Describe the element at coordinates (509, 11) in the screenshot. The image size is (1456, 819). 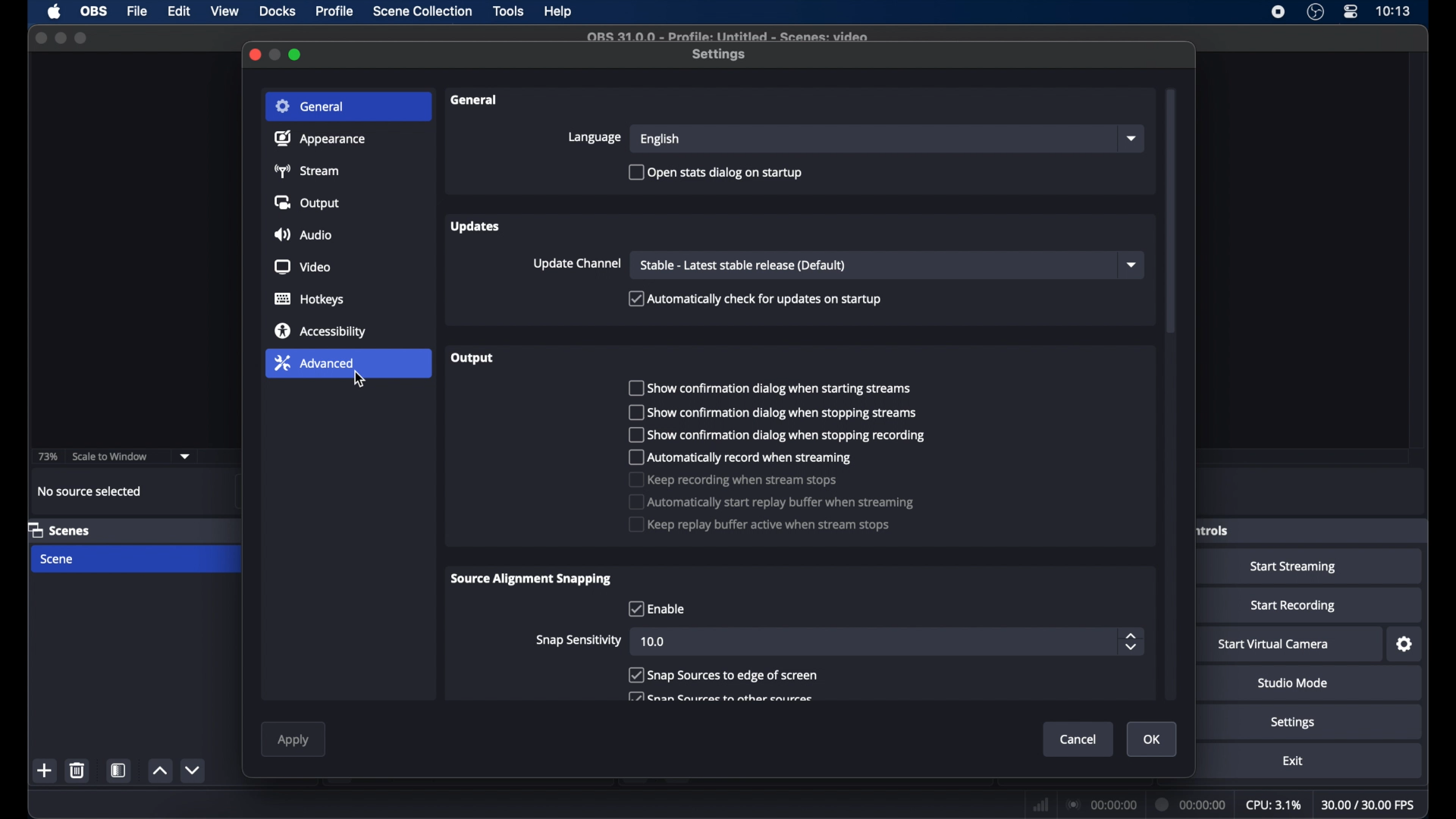
I see `tools` at that location.